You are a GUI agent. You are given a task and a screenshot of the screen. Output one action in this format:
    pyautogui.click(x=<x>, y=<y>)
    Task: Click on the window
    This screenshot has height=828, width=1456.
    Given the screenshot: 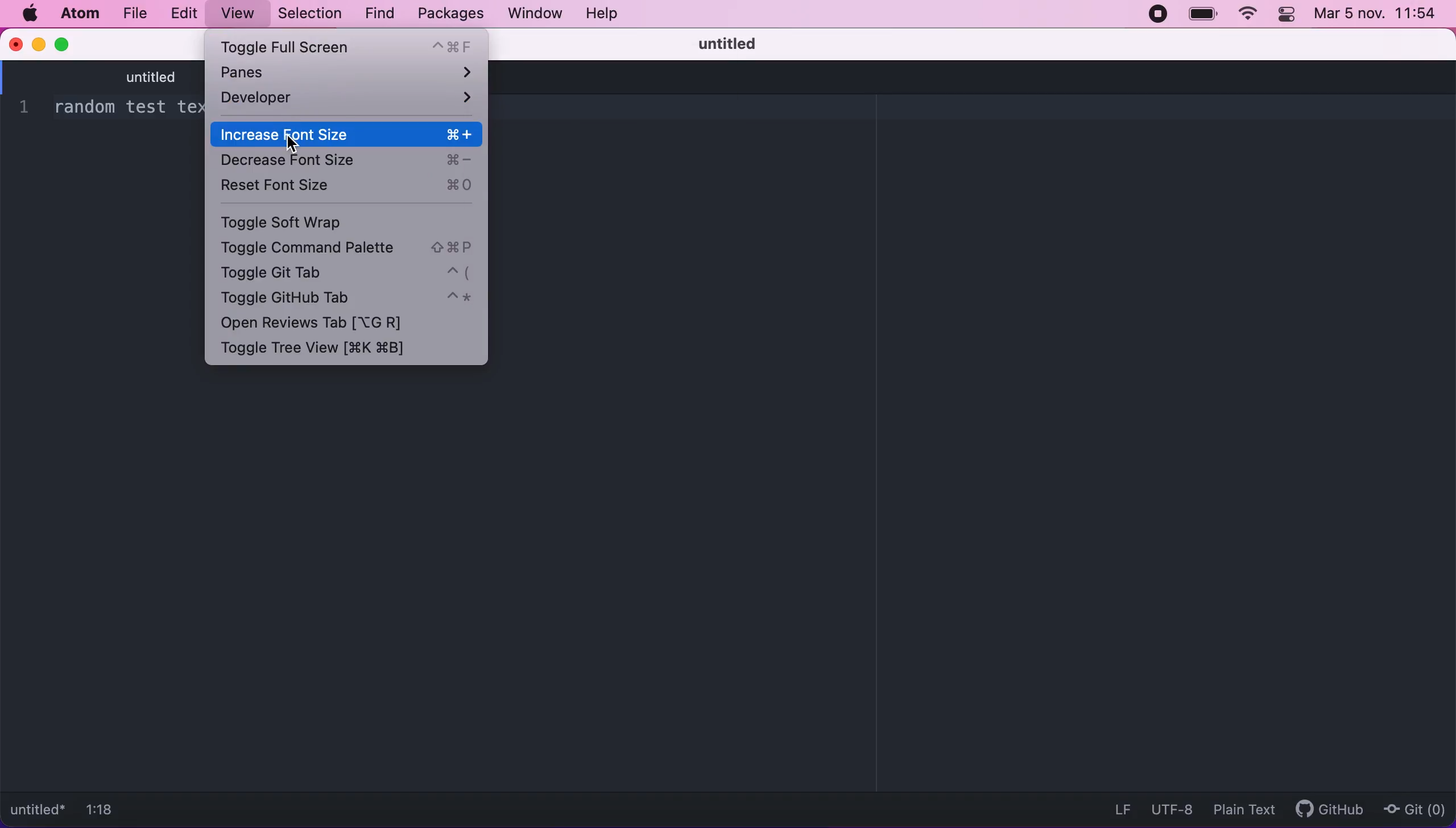 What is the action you would take?
    pyautogui.click(x=531, y=15)
    